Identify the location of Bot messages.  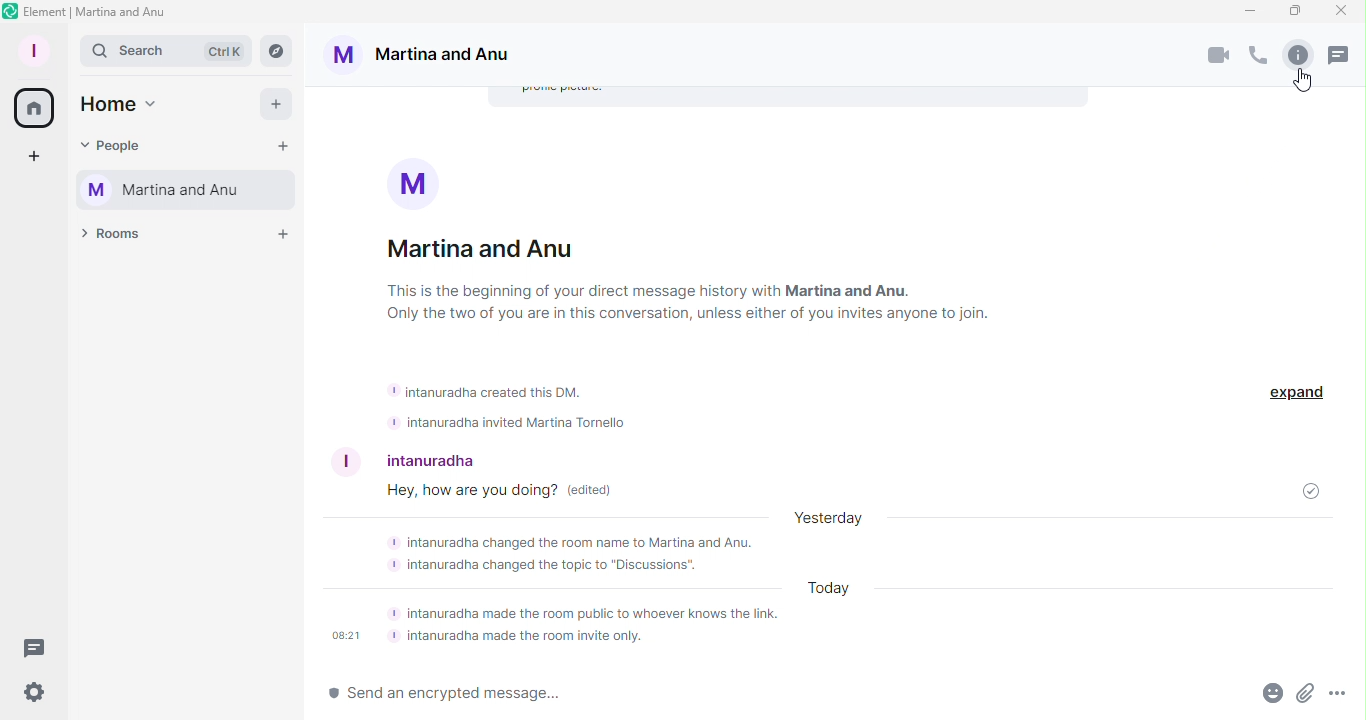
(543, 404).